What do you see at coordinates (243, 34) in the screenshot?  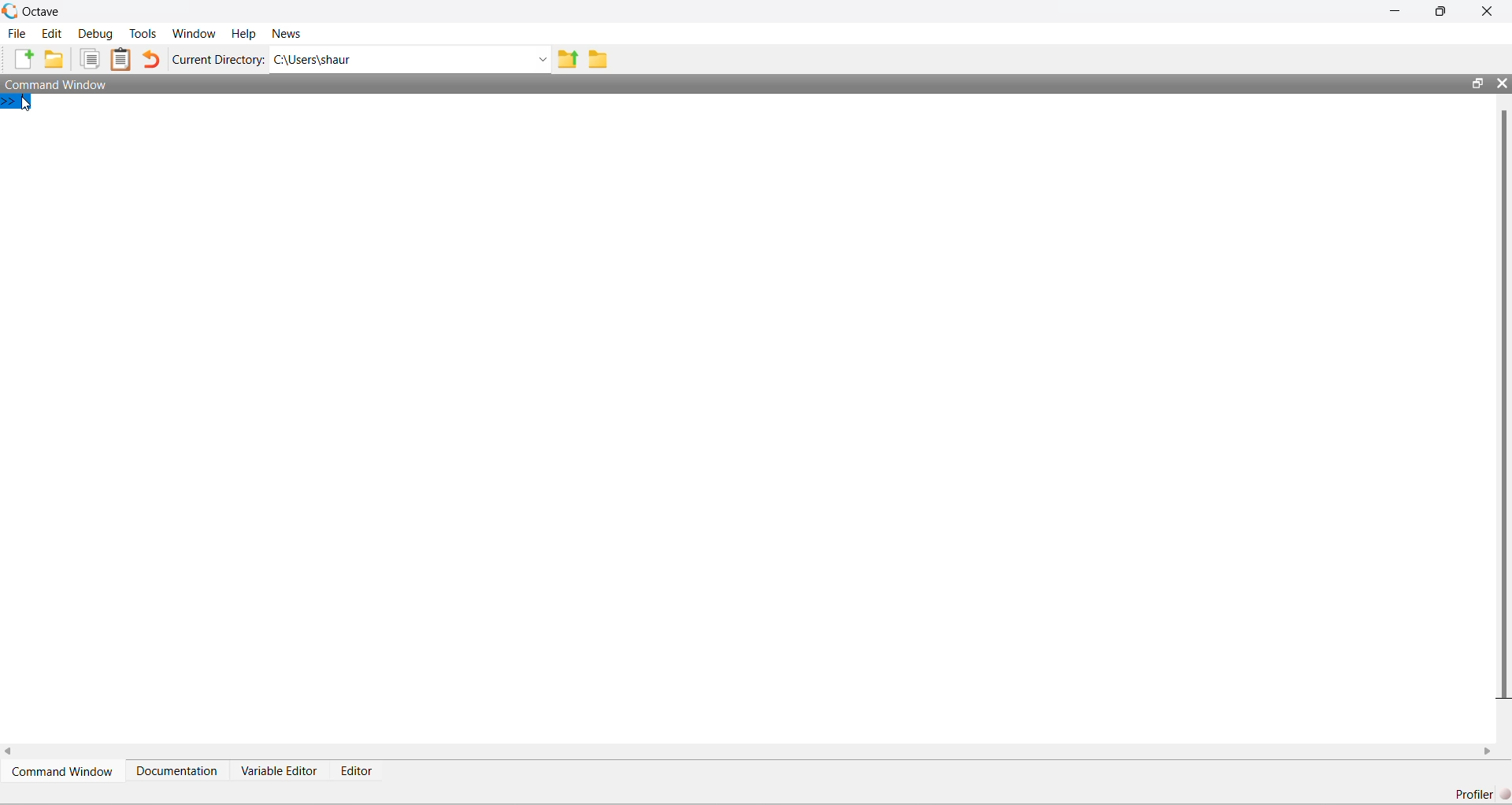 I see `Help` at bounding box center [243, 34].